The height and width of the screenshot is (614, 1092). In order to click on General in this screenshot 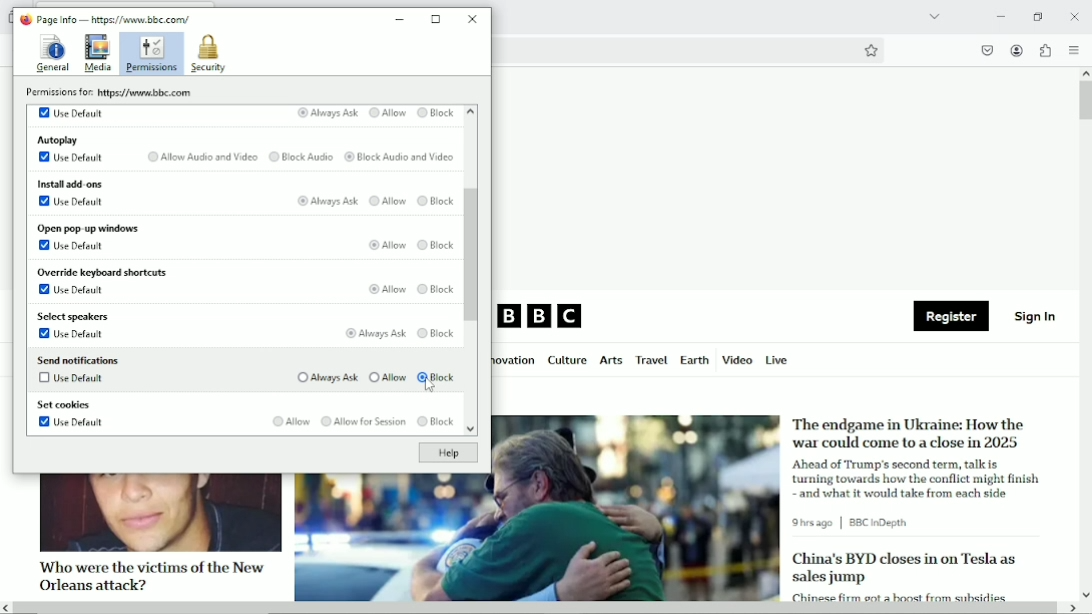, I will do `click(51, 52)`.